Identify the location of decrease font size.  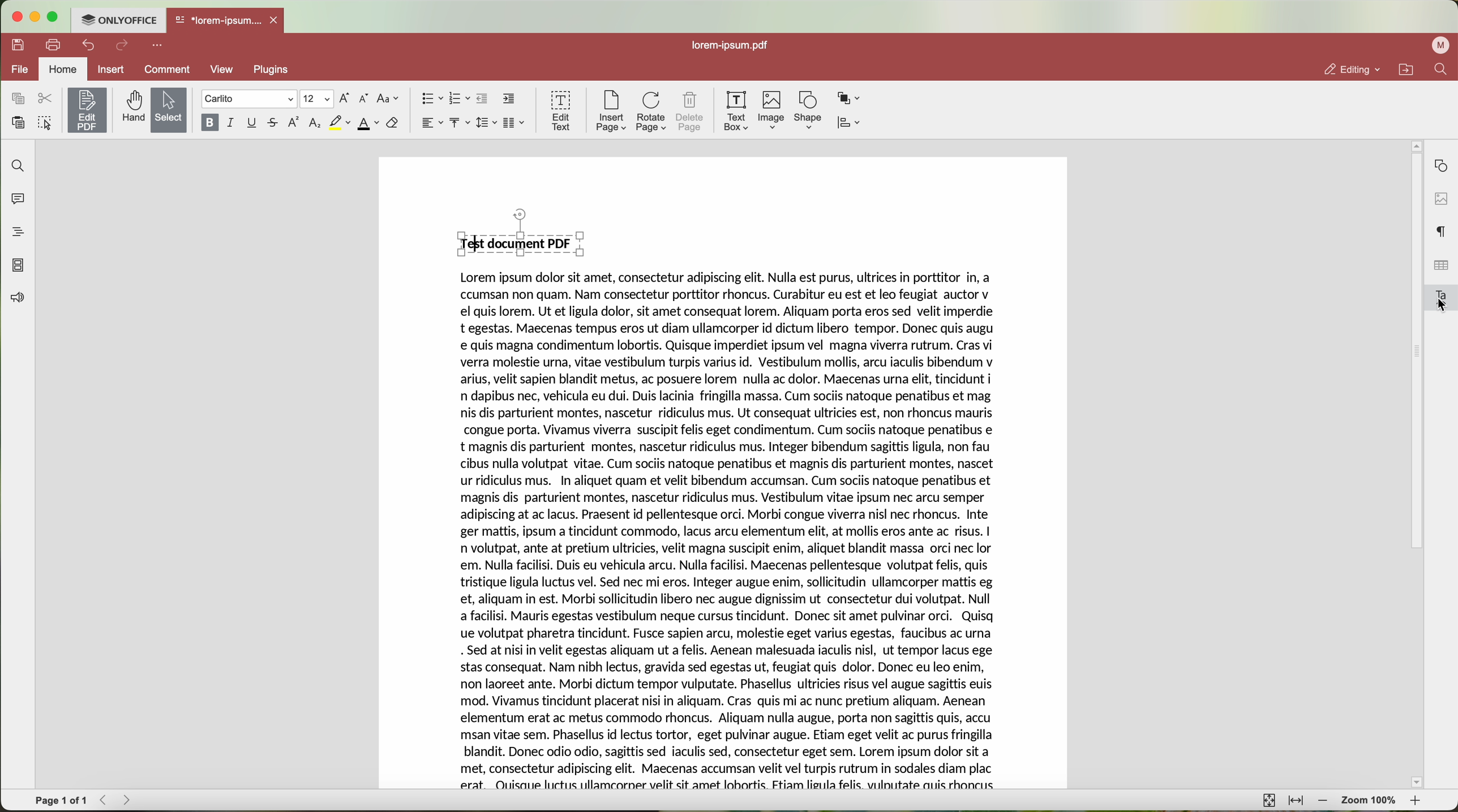
(366, 98).